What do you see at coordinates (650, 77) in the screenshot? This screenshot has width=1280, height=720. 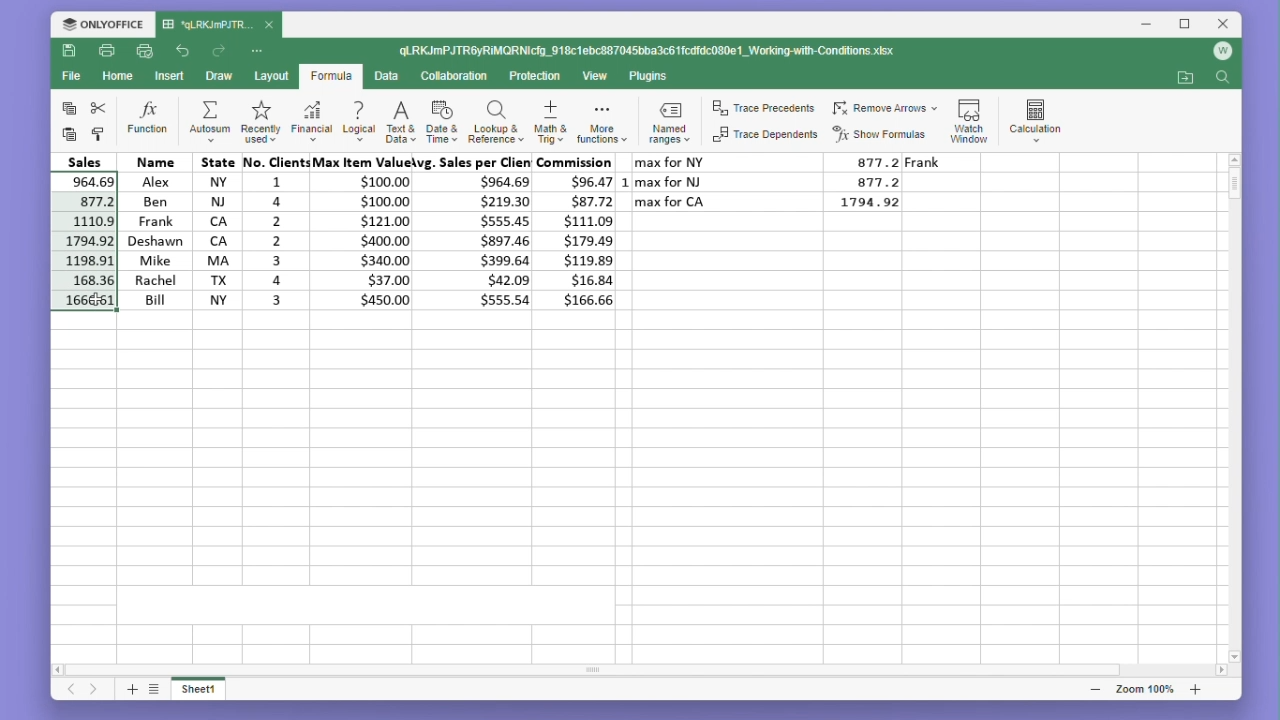 I see `Plugins` at bounding box center [650, 77].